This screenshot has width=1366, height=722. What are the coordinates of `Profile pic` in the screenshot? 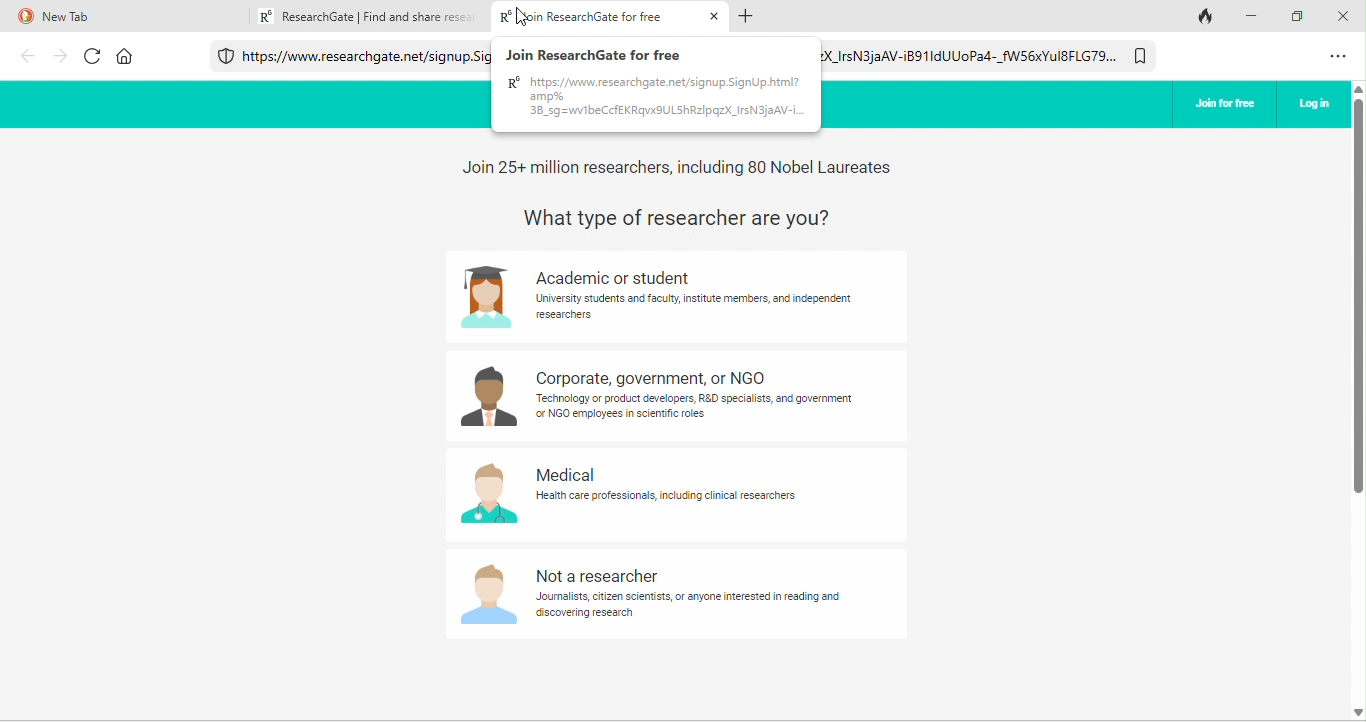 It's located at (485, 398).